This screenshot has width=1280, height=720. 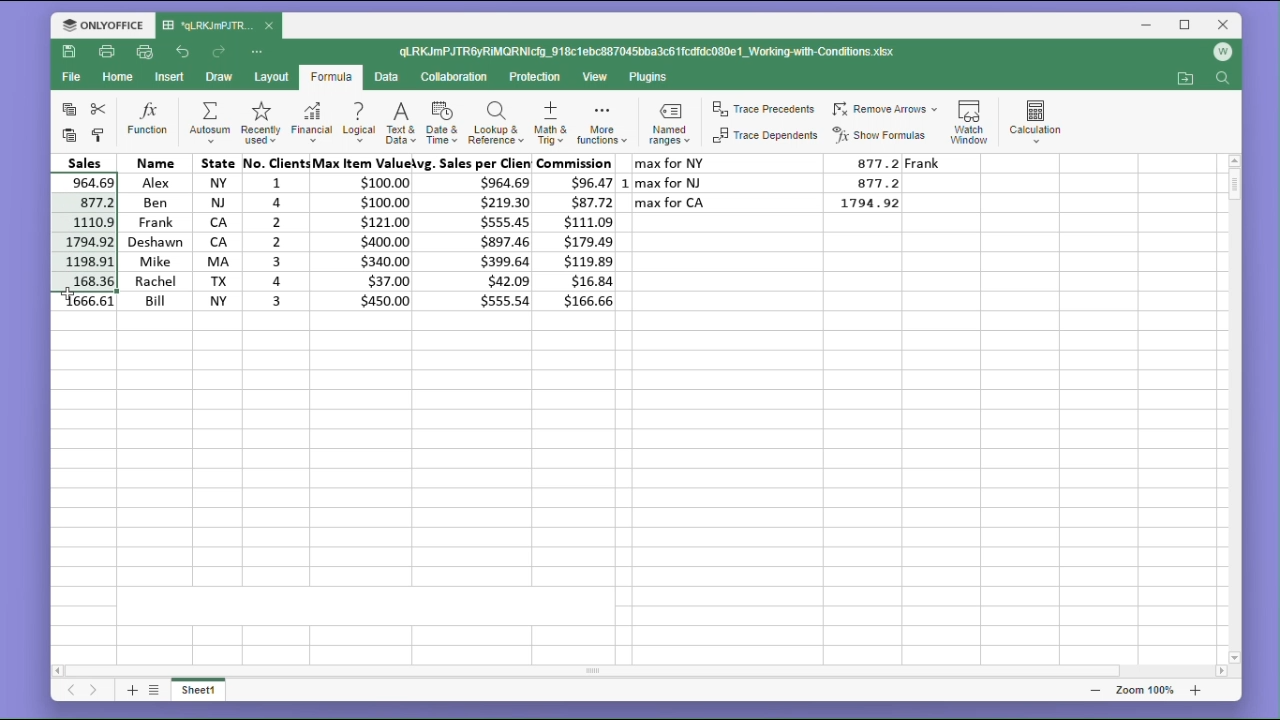 I want to click on ql.RKJmPJTRiMQRNlclg_918c1ebc887045bba3c61fcdfdc080e1_Working-with-Conditions.xlsx, so click(x=668, y=52).